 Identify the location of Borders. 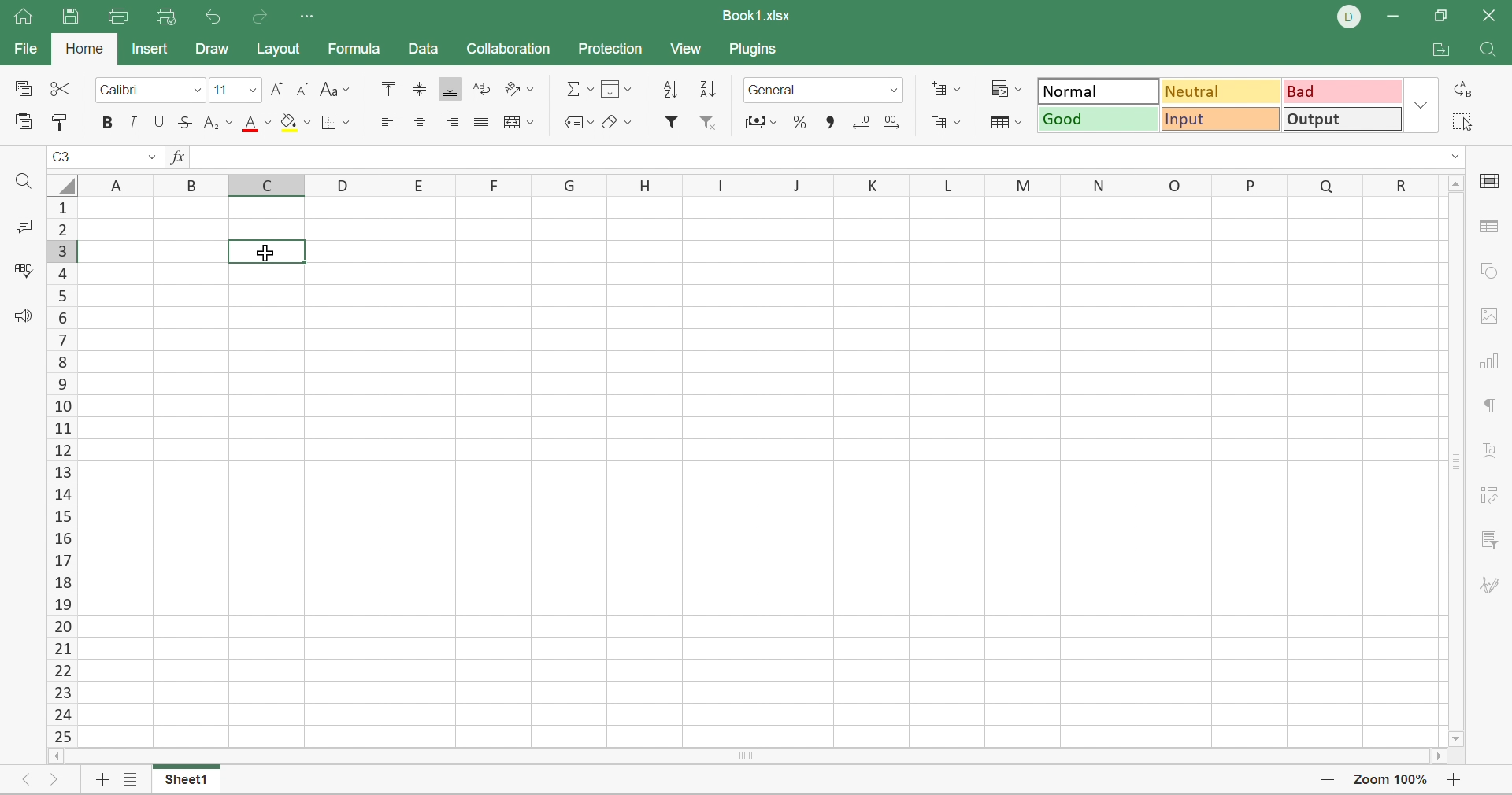
(337, 122).